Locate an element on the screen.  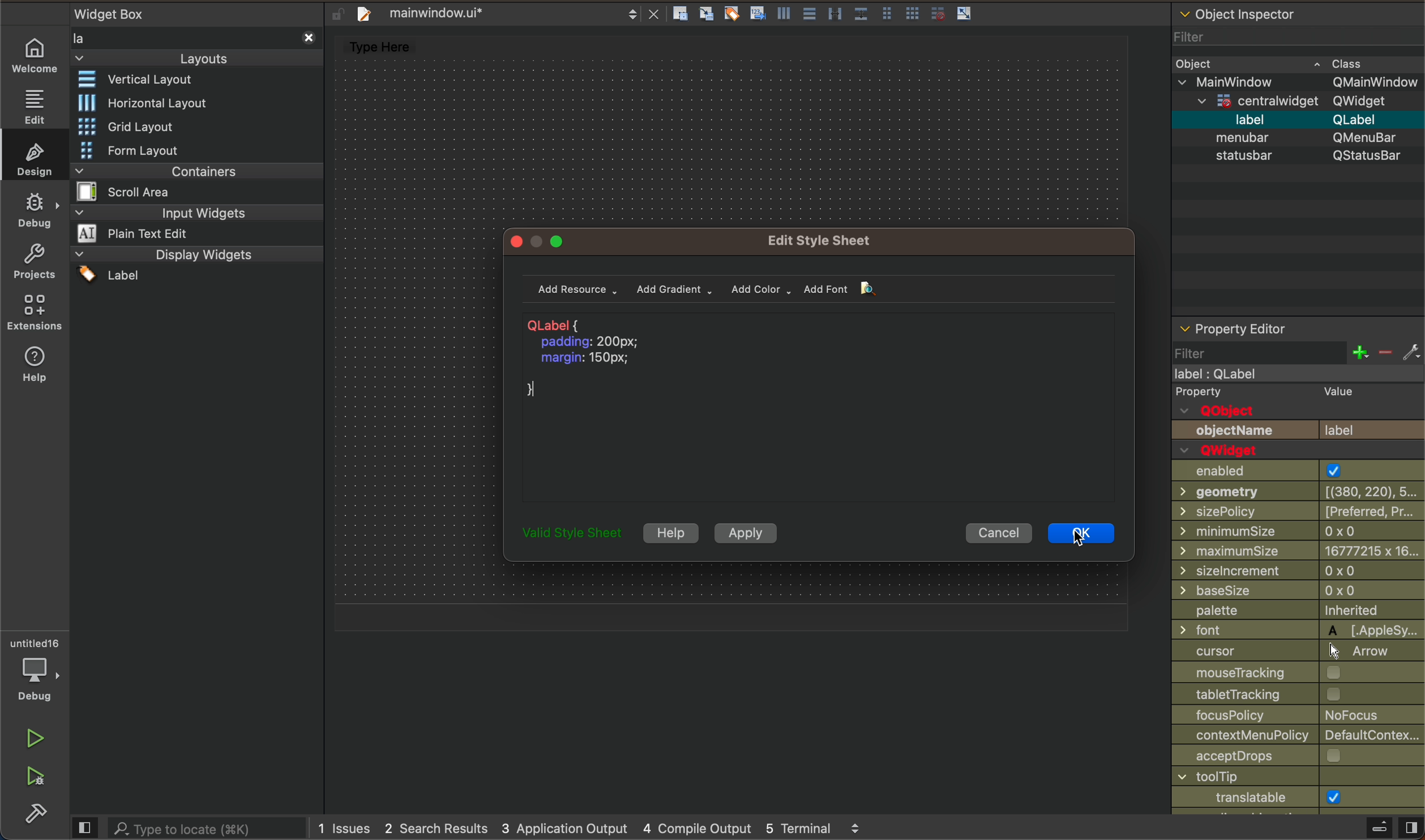
design is located at coordinates (38, 158).